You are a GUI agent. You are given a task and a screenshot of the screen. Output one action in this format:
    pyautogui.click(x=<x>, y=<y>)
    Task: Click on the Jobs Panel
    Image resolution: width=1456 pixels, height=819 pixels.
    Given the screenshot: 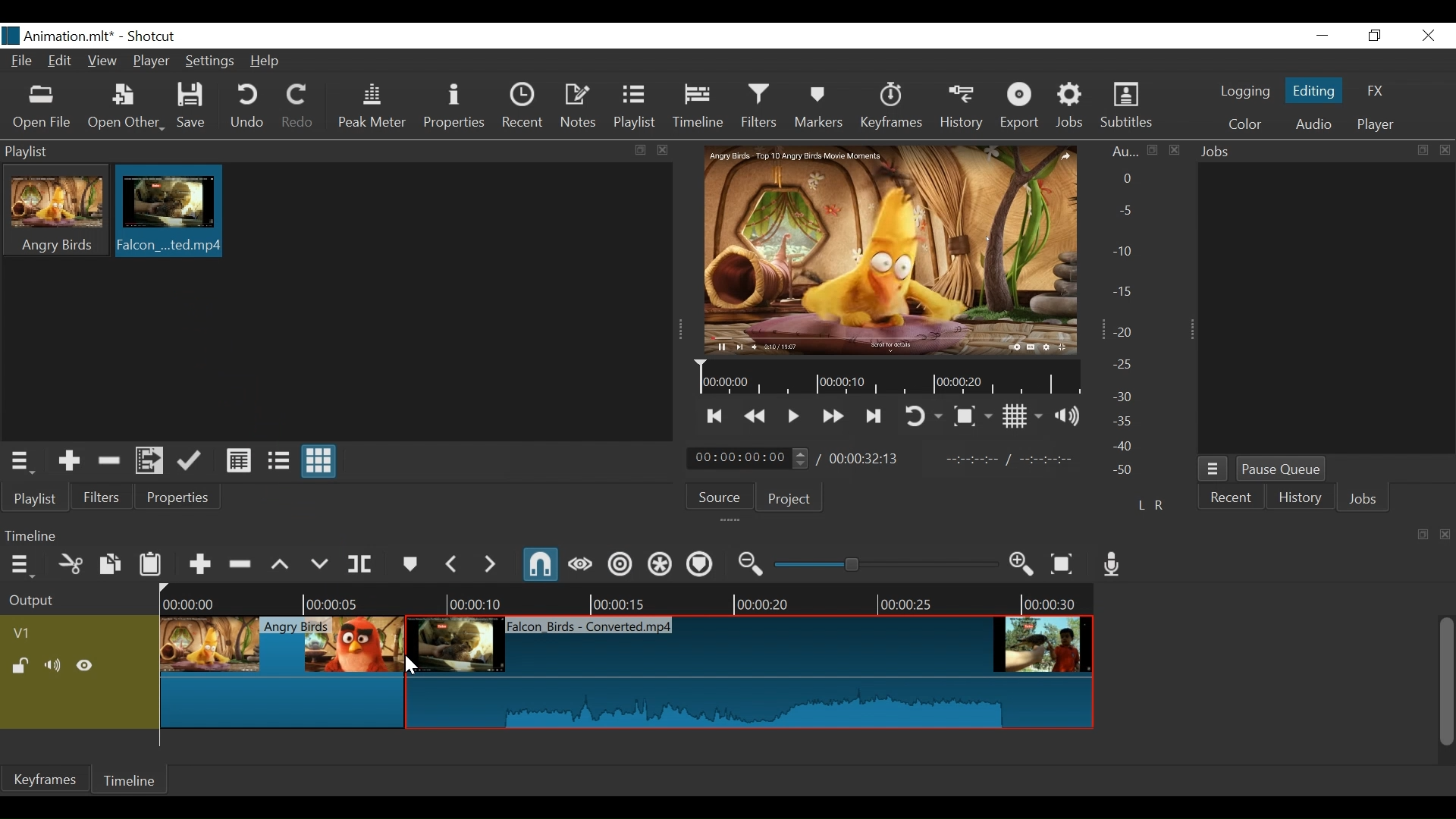 What is the action you would take?
    pyautogui.click(x=1326, y=152)
    